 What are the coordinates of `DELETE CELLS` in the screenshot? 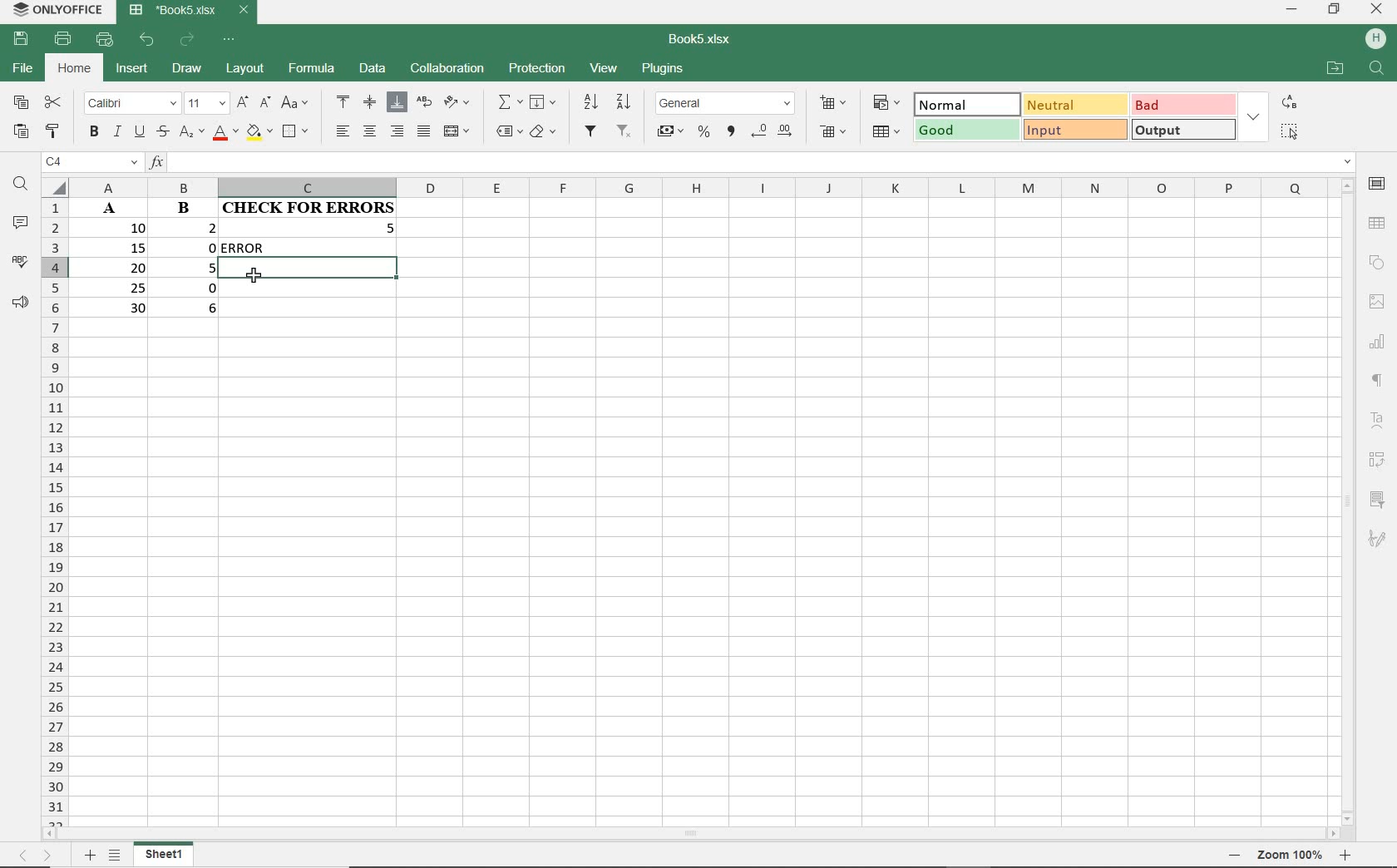 It's located at (835, 131).